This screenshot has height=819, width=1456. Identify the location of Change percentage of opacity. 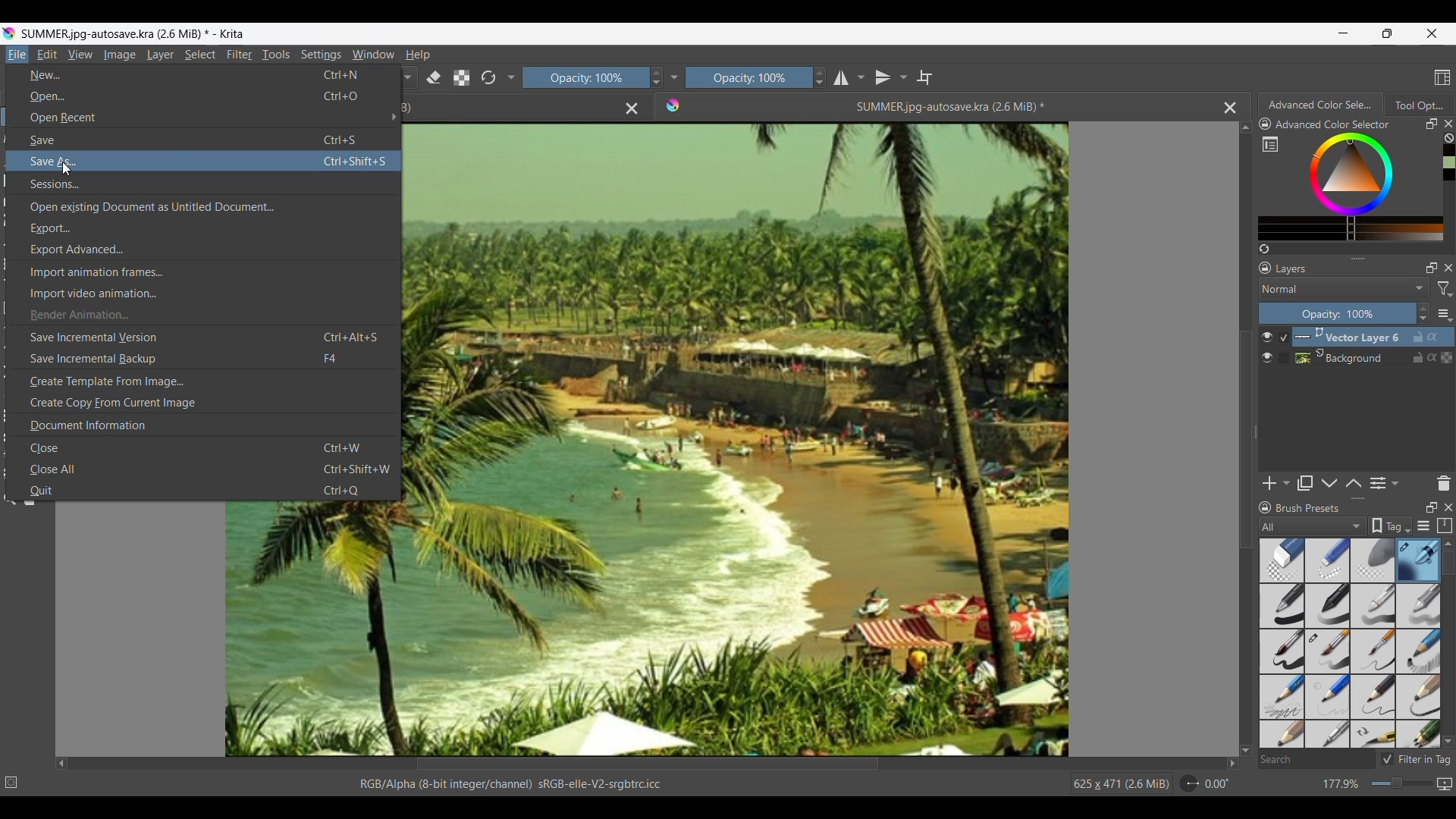
(1337, 313).